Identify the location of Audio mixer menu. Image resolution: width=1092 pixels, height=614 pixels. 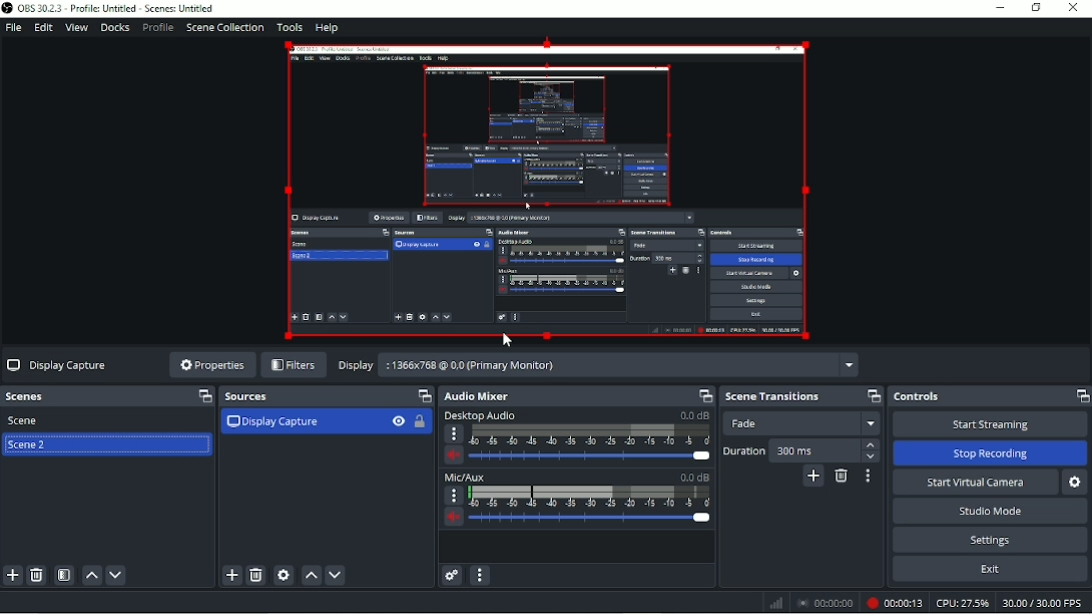
(481, 575).